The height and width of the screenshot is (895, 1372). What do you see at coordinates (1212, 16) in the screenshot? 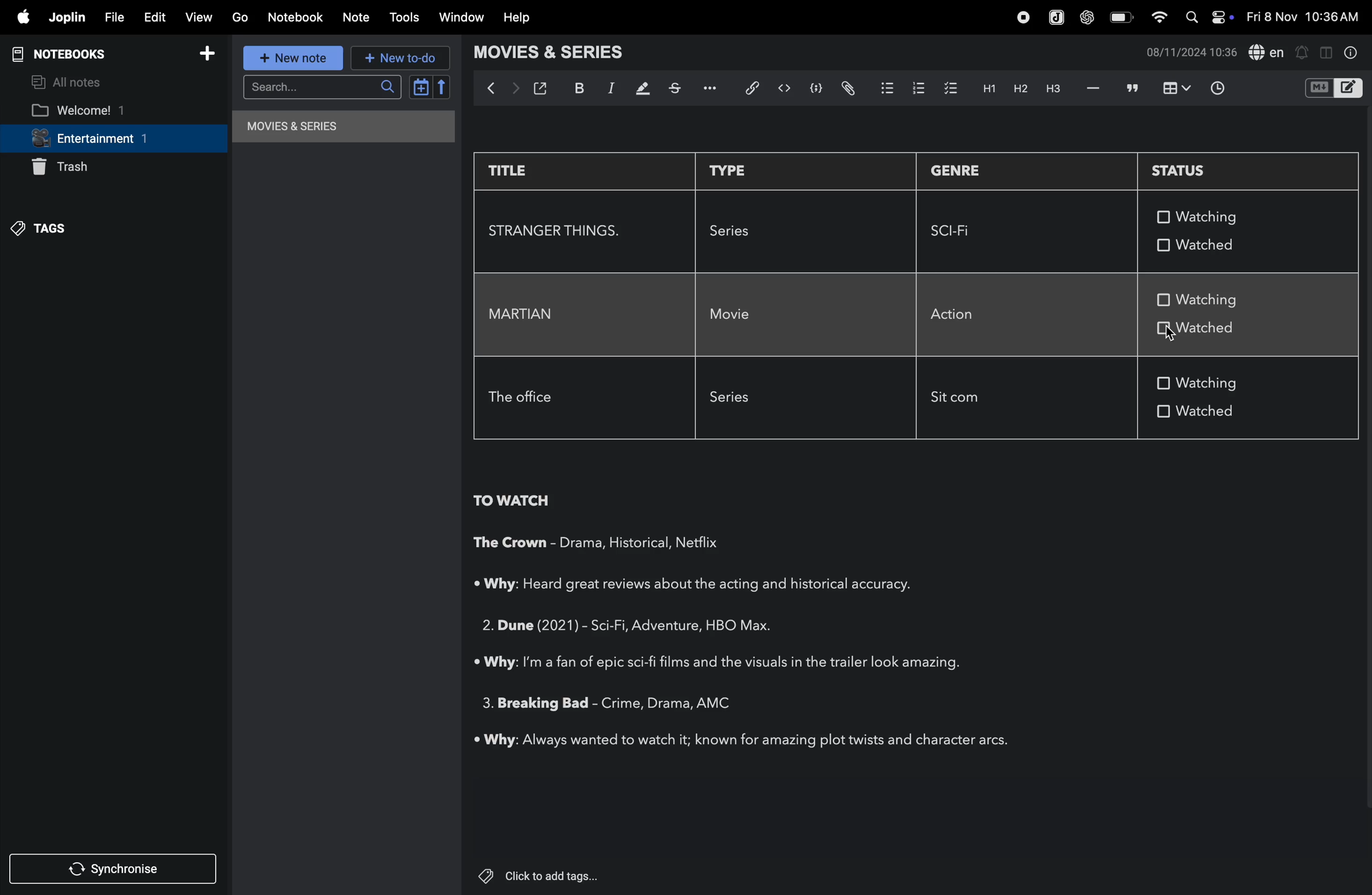
I see `apple widgets` at bounding box center [1212, 16].